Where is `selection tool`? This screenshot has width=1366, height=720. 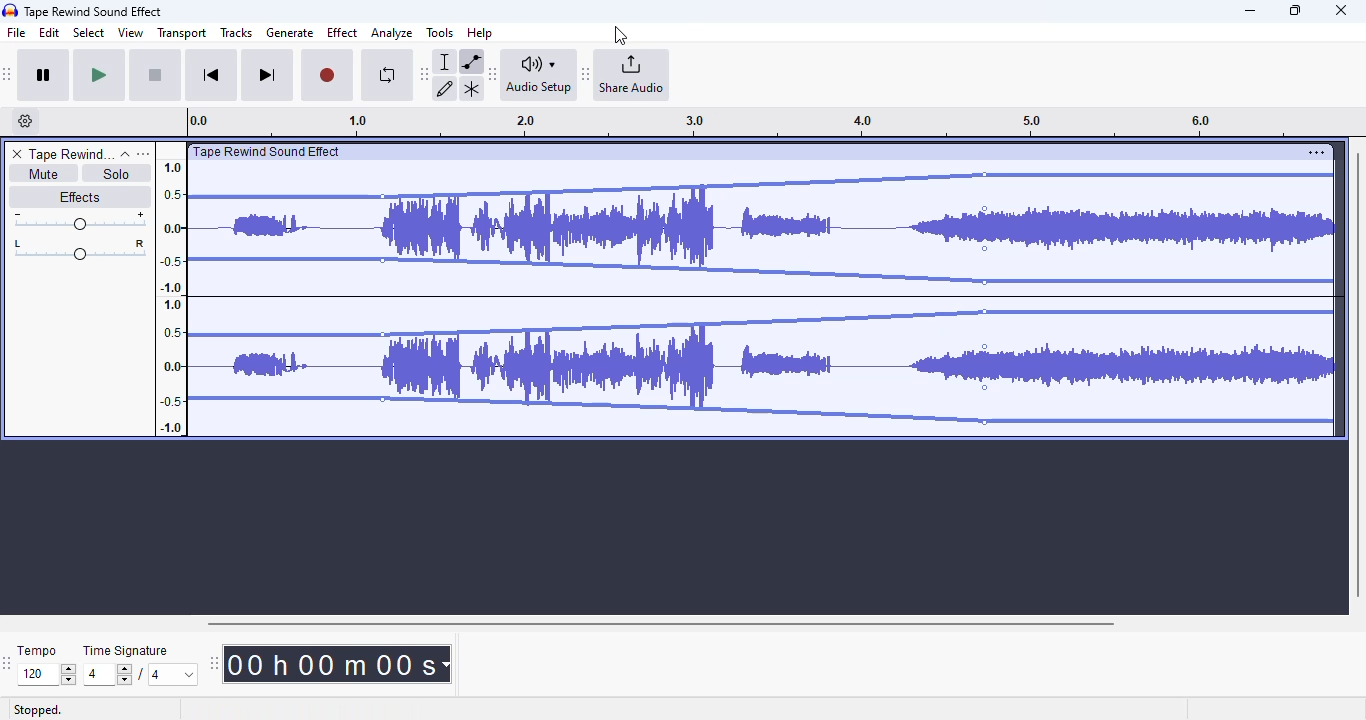
selection tool is located at coordinates (447, 61).